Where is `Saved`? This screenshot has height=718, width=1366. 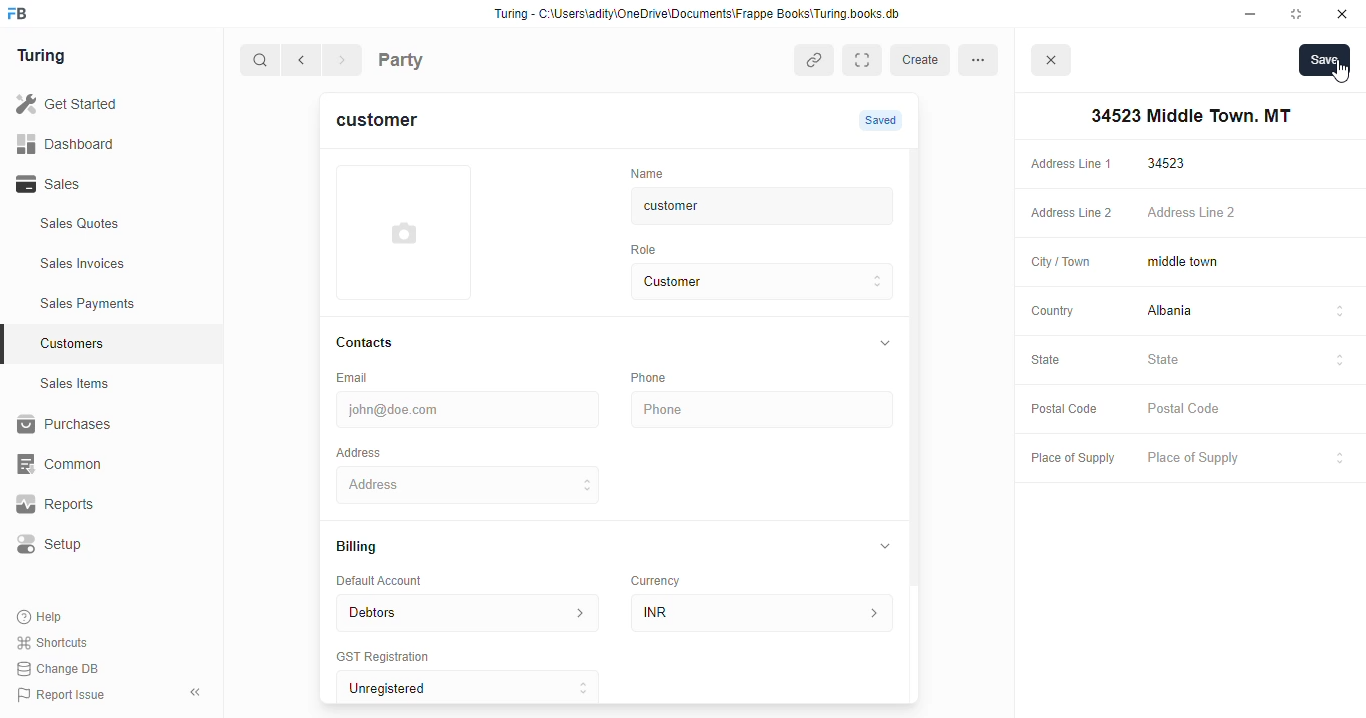
Saved is located at coordinates (883, 120).